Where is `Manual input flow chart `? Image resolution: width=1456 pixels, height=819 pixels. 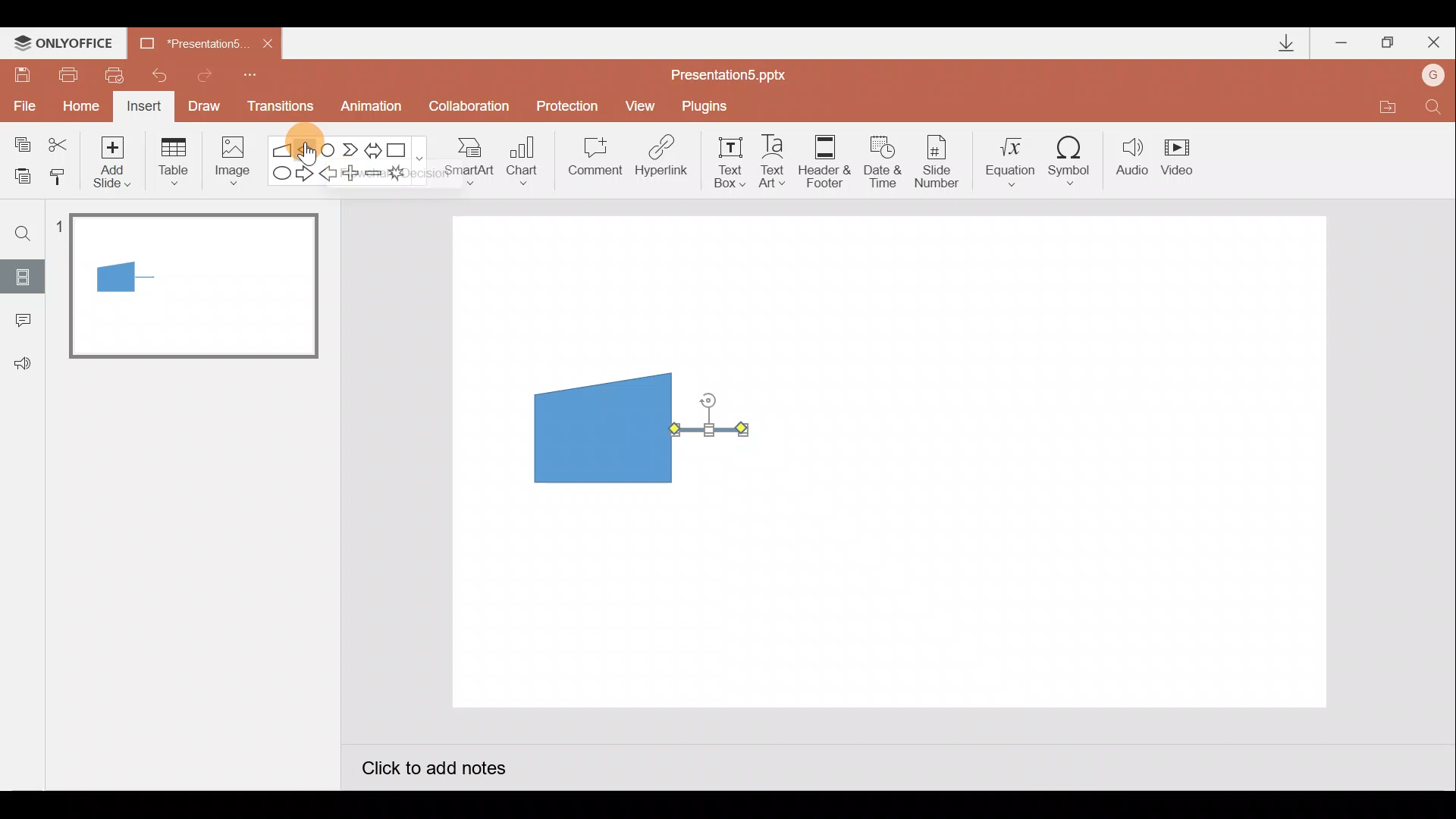
Manual input flow chart  is located at coordinates (600, 426).